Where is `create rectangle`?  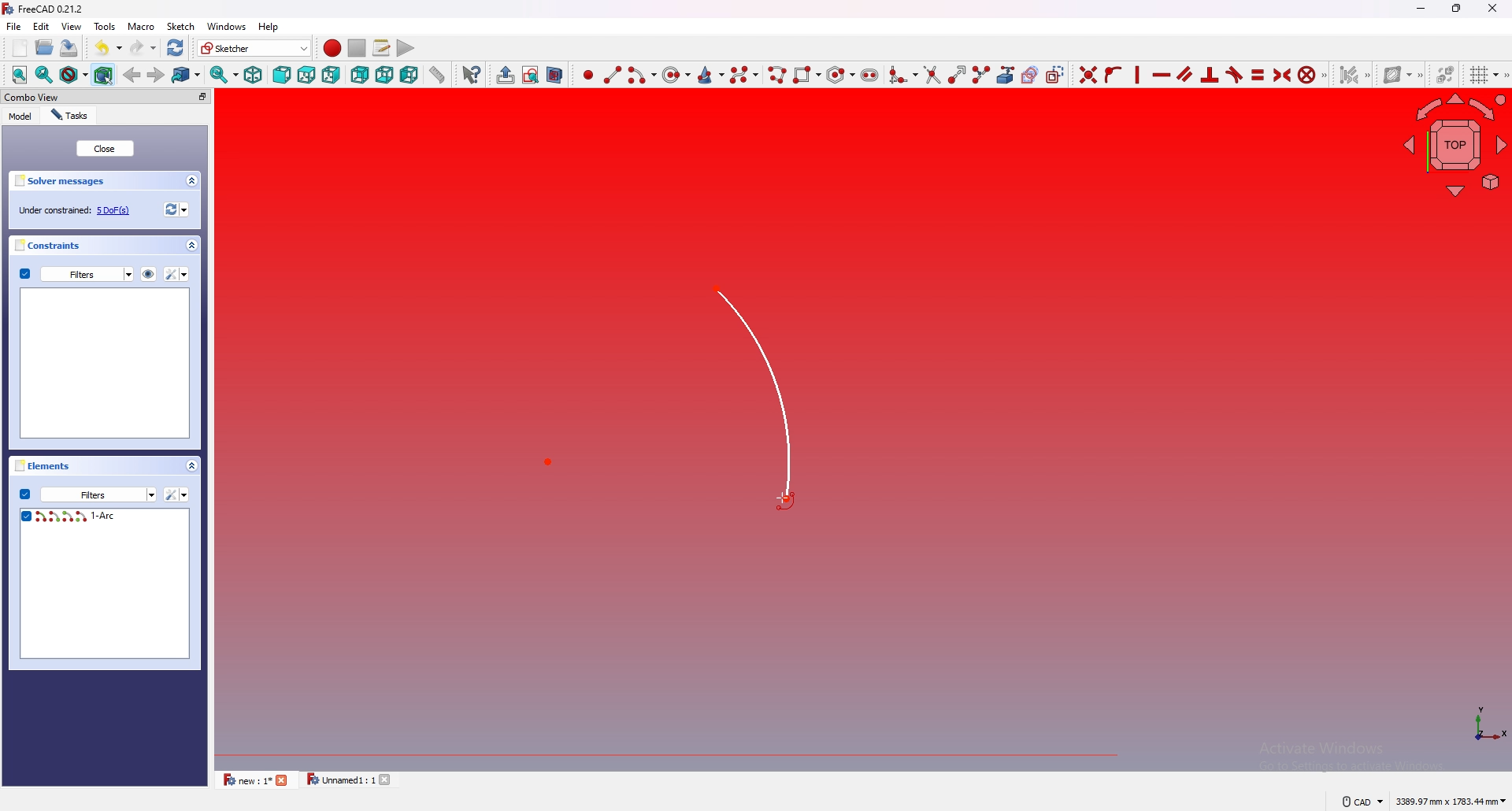
create rectangle is located at coordinates (805, 75).